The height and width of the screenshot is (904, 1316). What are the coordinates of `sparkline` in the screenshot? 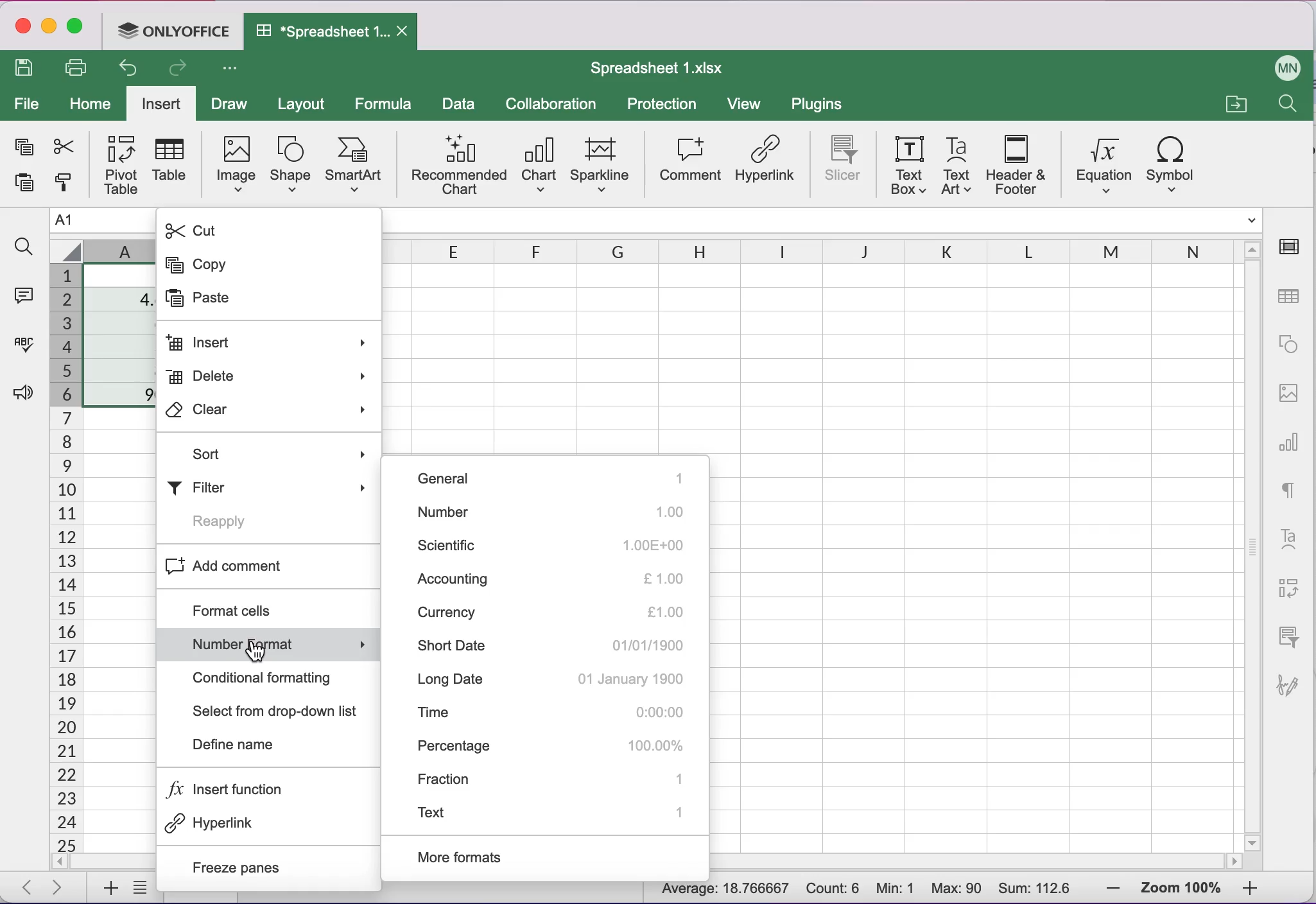 It's located at (602, 164).